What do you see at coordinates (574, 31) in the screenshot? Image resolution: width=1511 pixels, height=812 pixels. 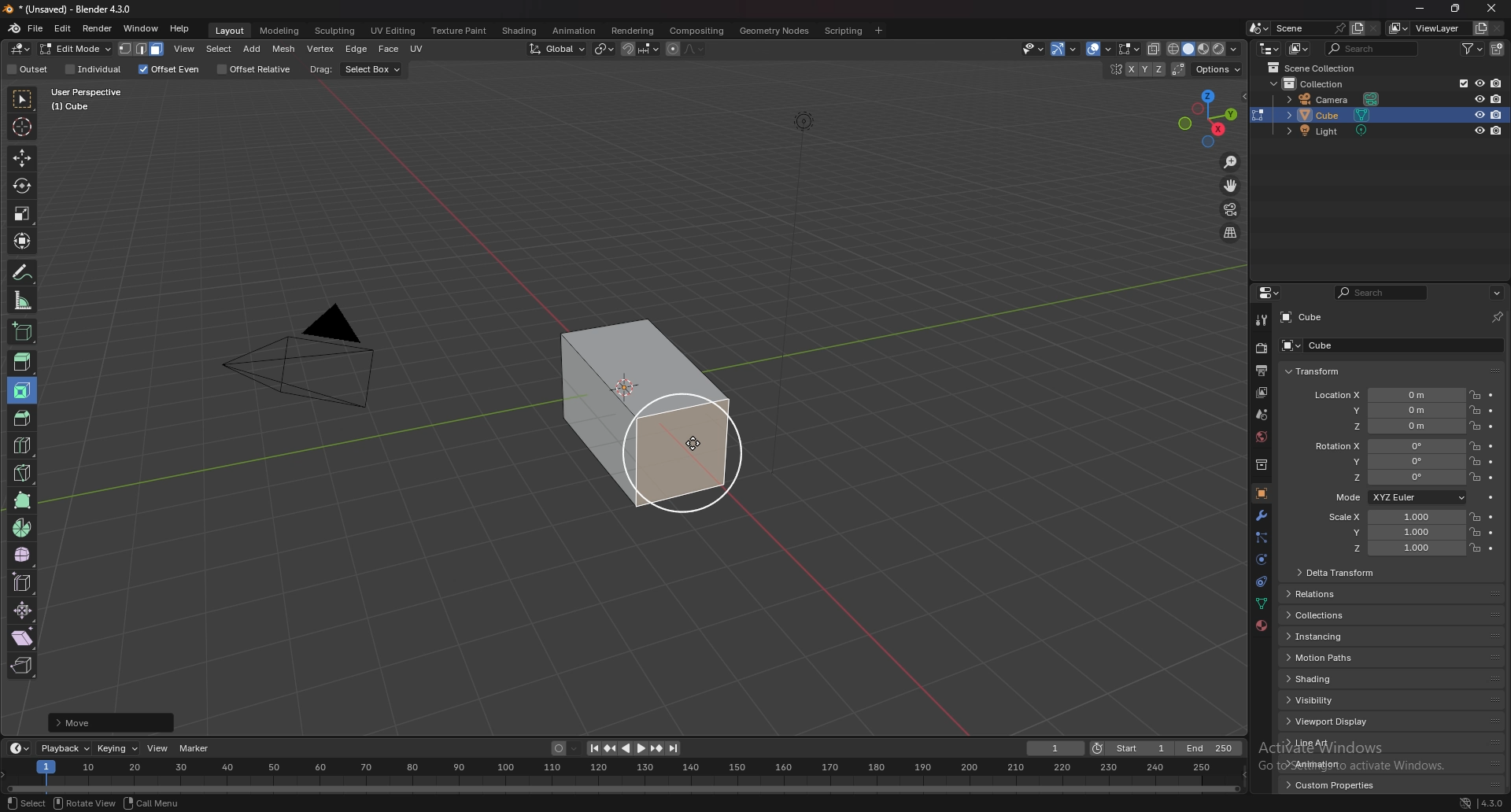 I see `animation` at bounding box center [574, 31].